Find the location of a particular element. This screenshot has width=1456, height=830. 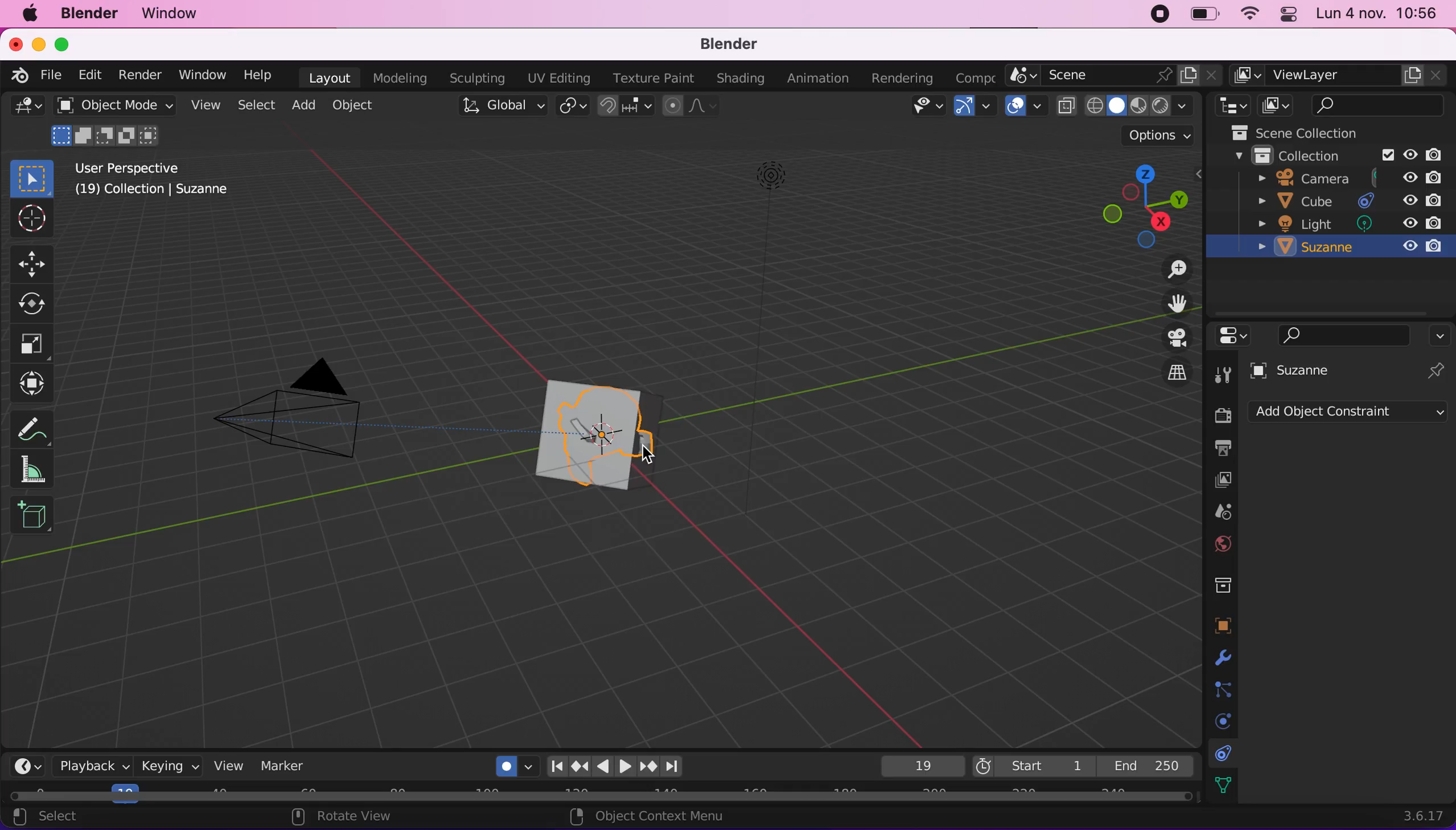

scale is located at coordinates (38, 344).